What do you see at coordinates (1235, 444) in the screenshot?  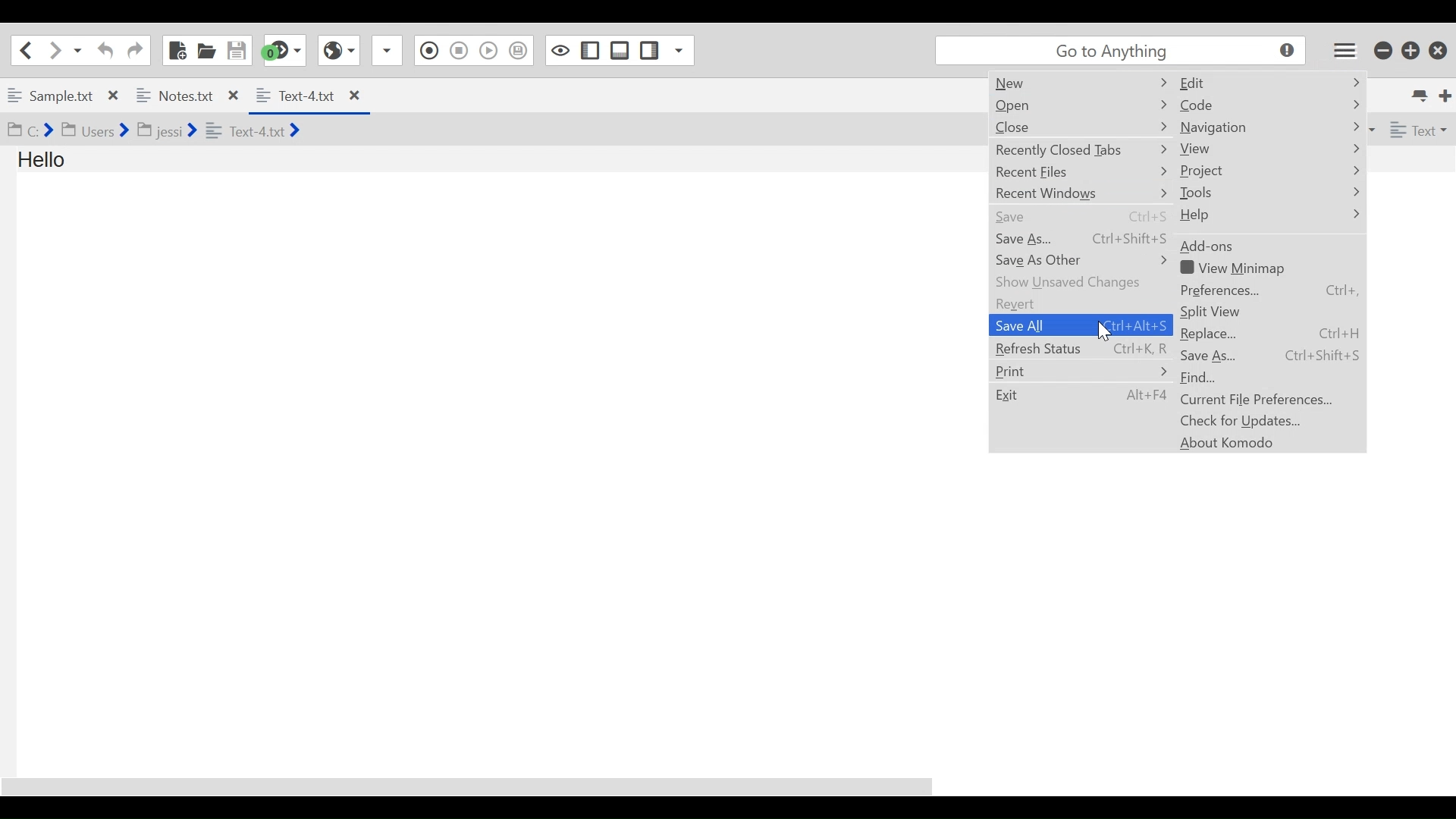 I see `About Komodo` at bounding box center [1235, 444].